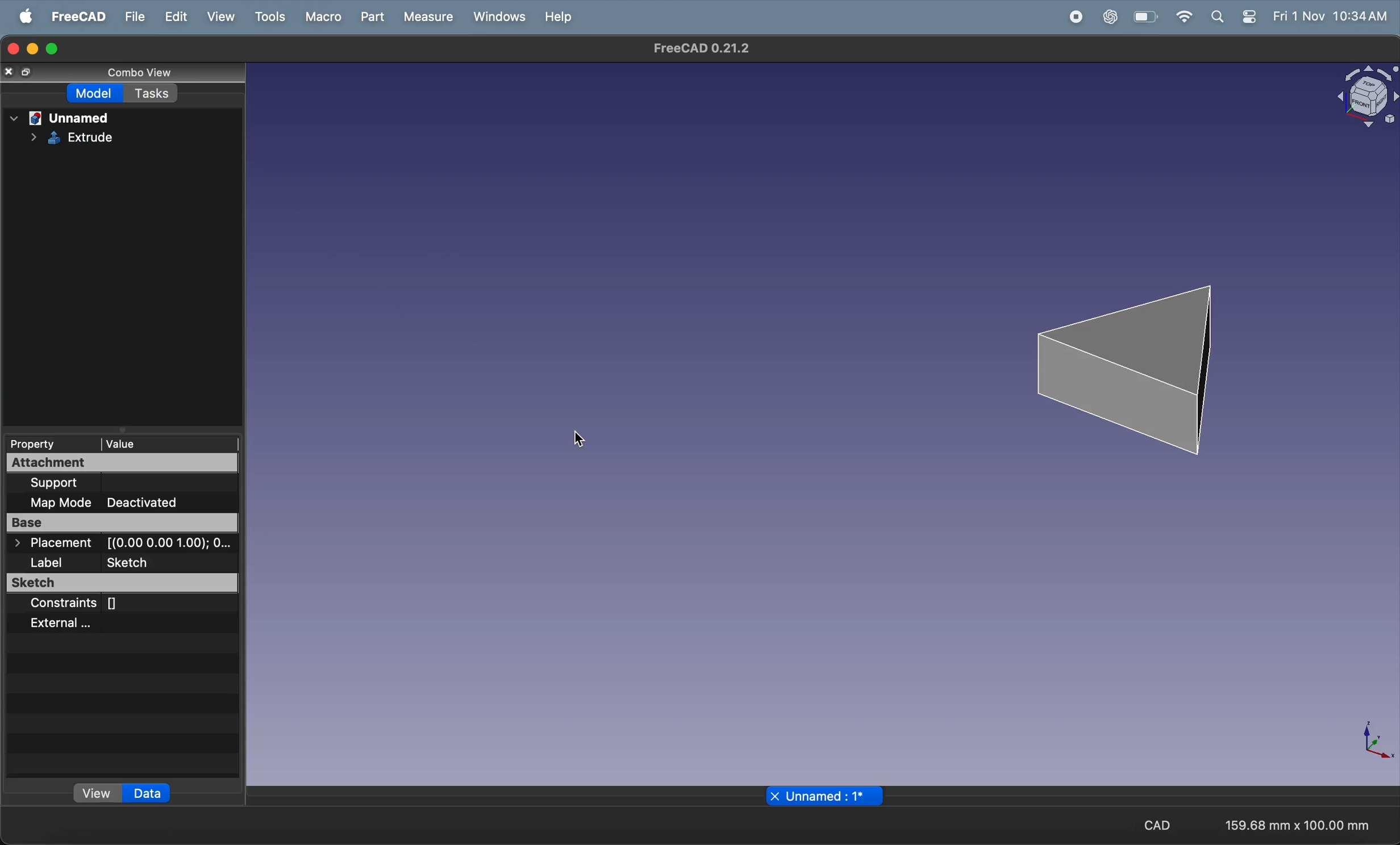  I want to click on External ..., so click(89, 623).